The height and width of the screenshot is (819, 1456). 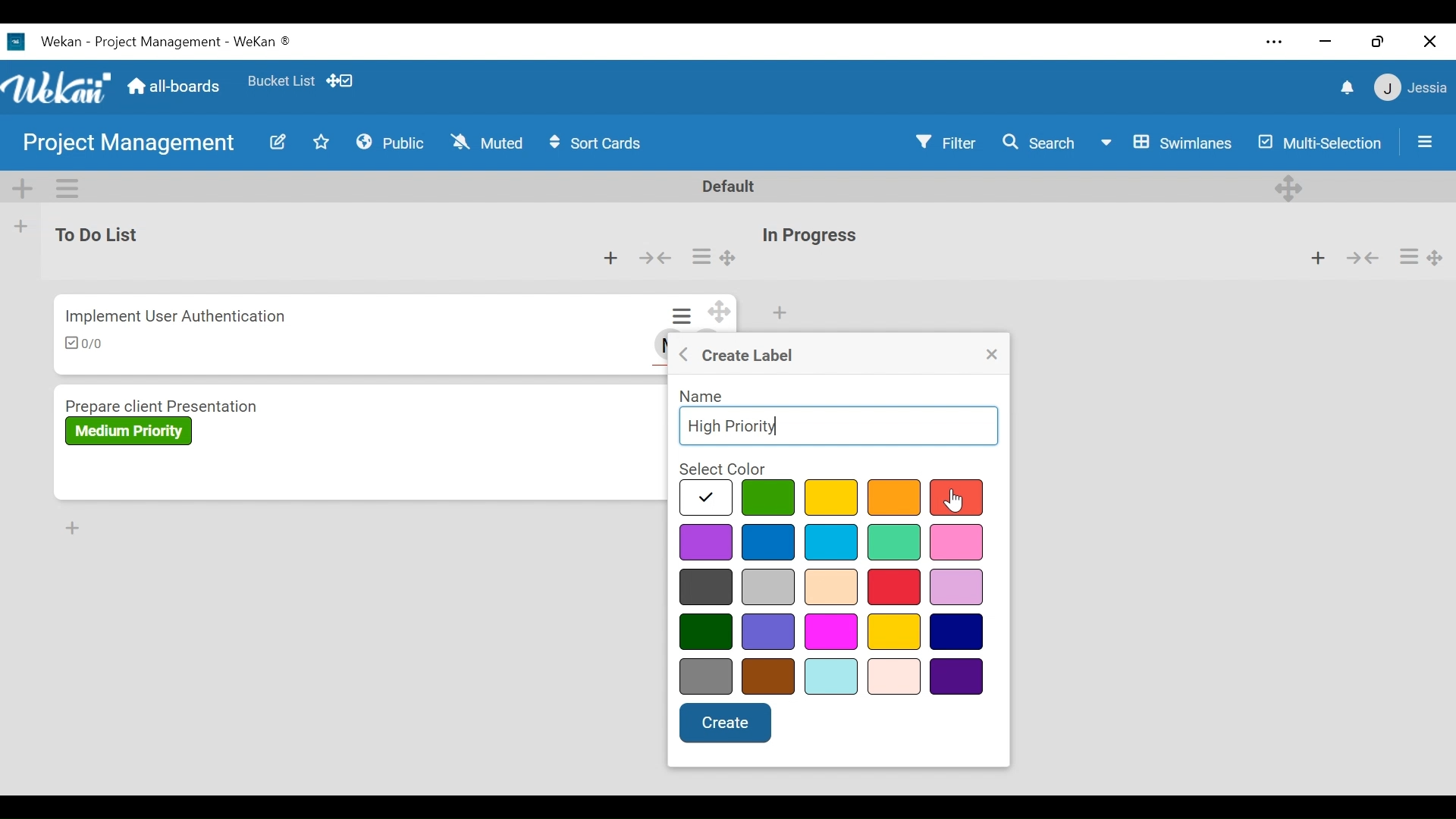 I want to click on Add list, so click(x=21, y=226).